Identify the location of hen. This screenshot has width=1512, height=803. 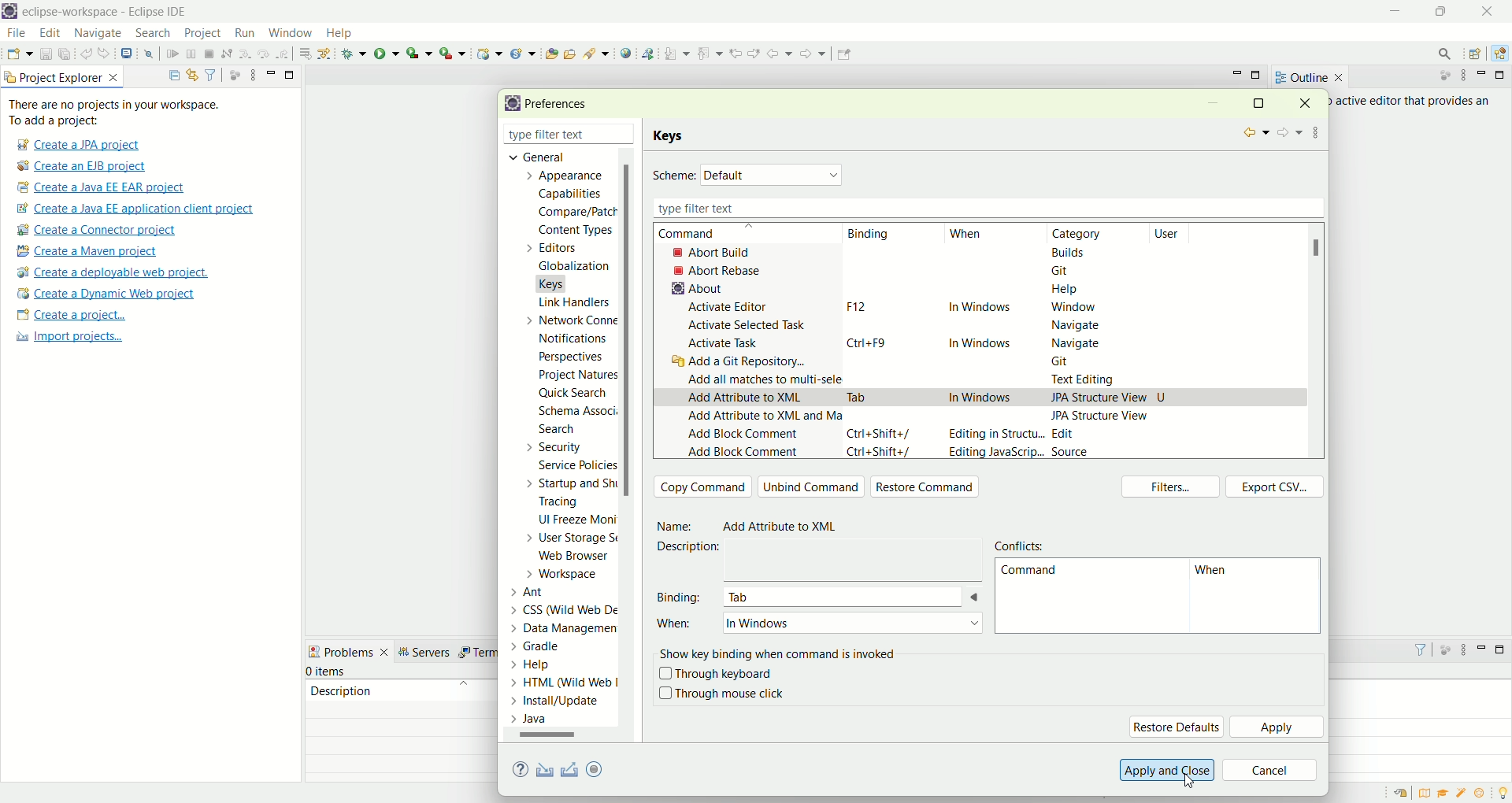
(1216, 573).